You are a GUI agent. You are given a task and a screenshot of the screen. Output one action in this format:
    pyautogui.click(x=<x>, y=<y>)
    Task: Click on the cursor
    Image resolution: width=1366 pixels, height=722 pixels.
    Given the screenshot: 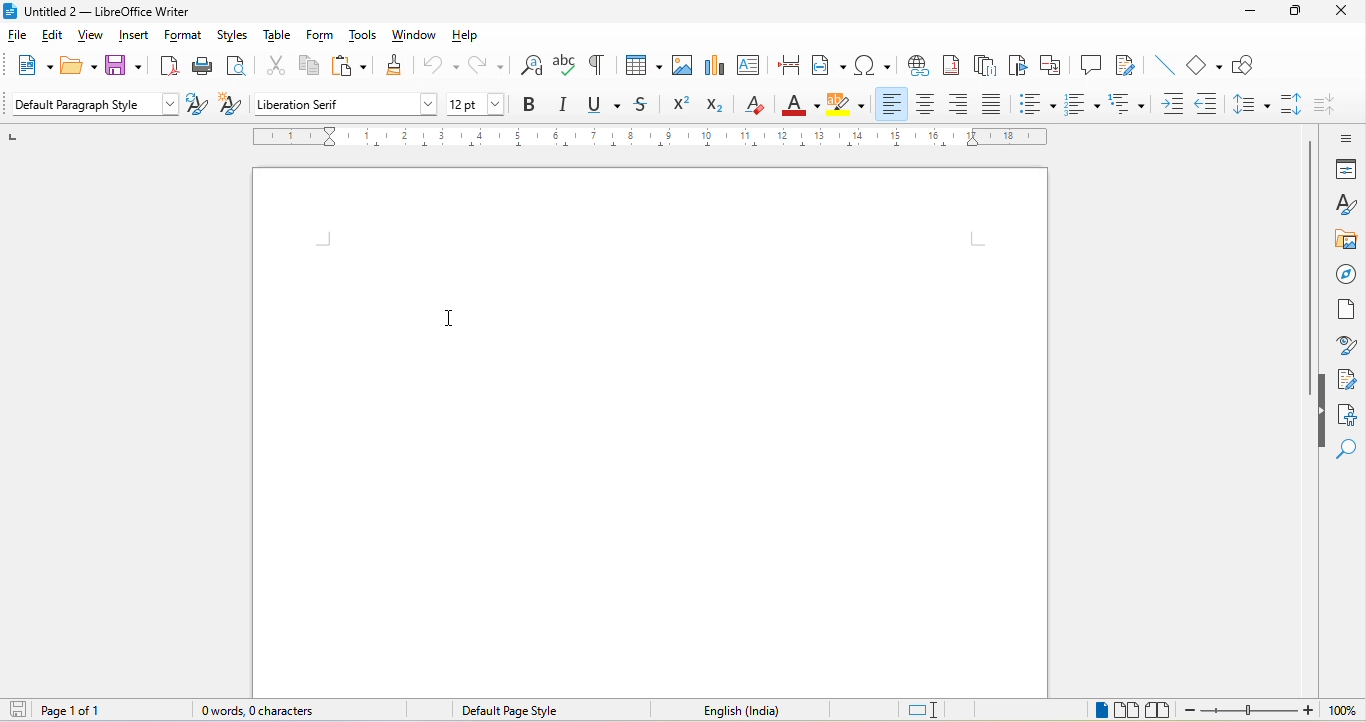 What is the action you would take?
    pyautogui.click(x=450, y=316)
    